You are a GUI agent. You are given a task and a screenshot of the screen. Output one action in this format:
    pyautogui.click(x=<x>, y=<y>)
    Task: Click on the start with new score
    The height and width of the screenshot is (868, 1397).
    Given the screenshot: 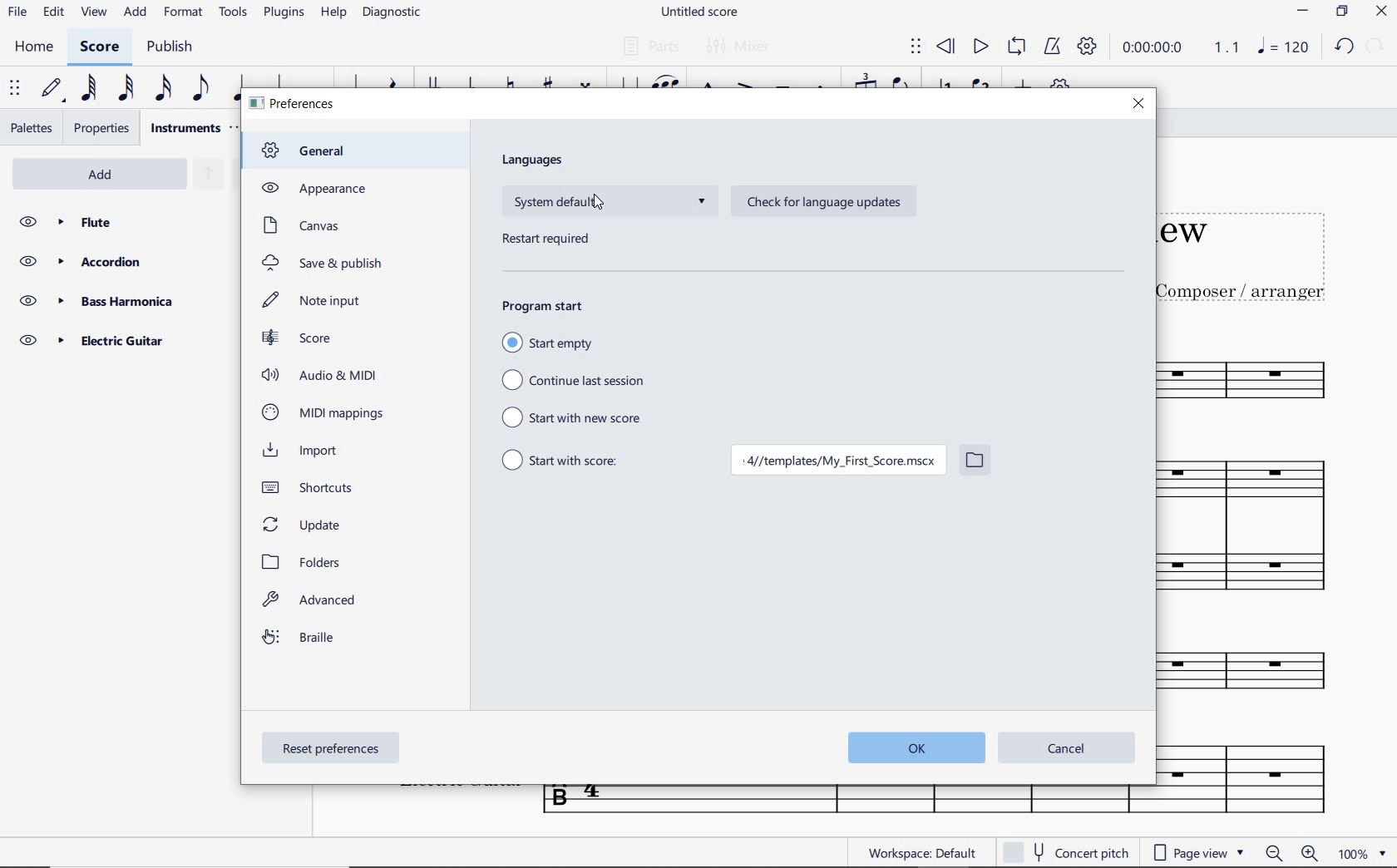 What is the action you would take?
    pyautogui.click(x=578, y=417)
    